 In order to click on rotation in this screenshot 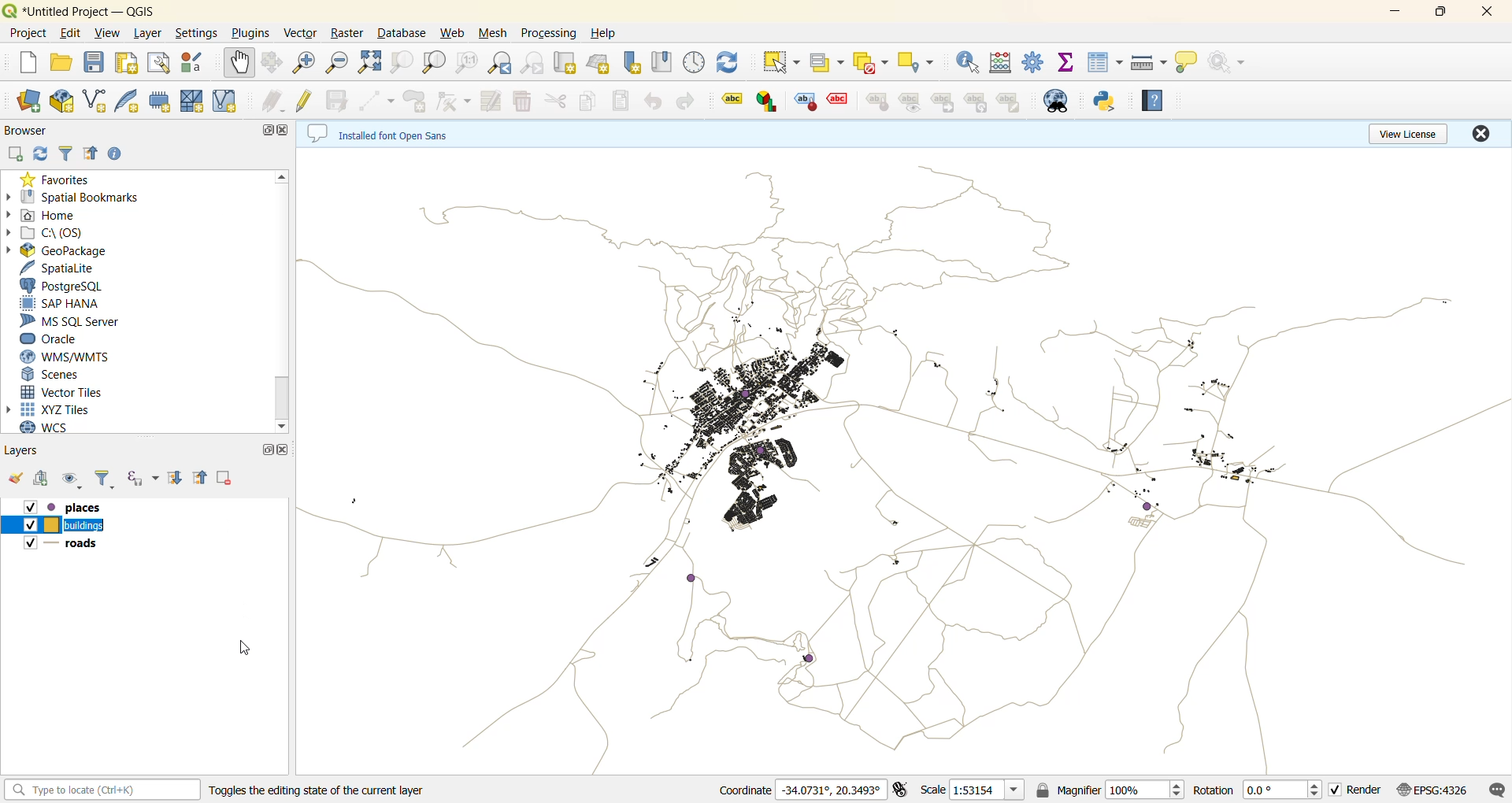, I will do `click(1259, 790)`.